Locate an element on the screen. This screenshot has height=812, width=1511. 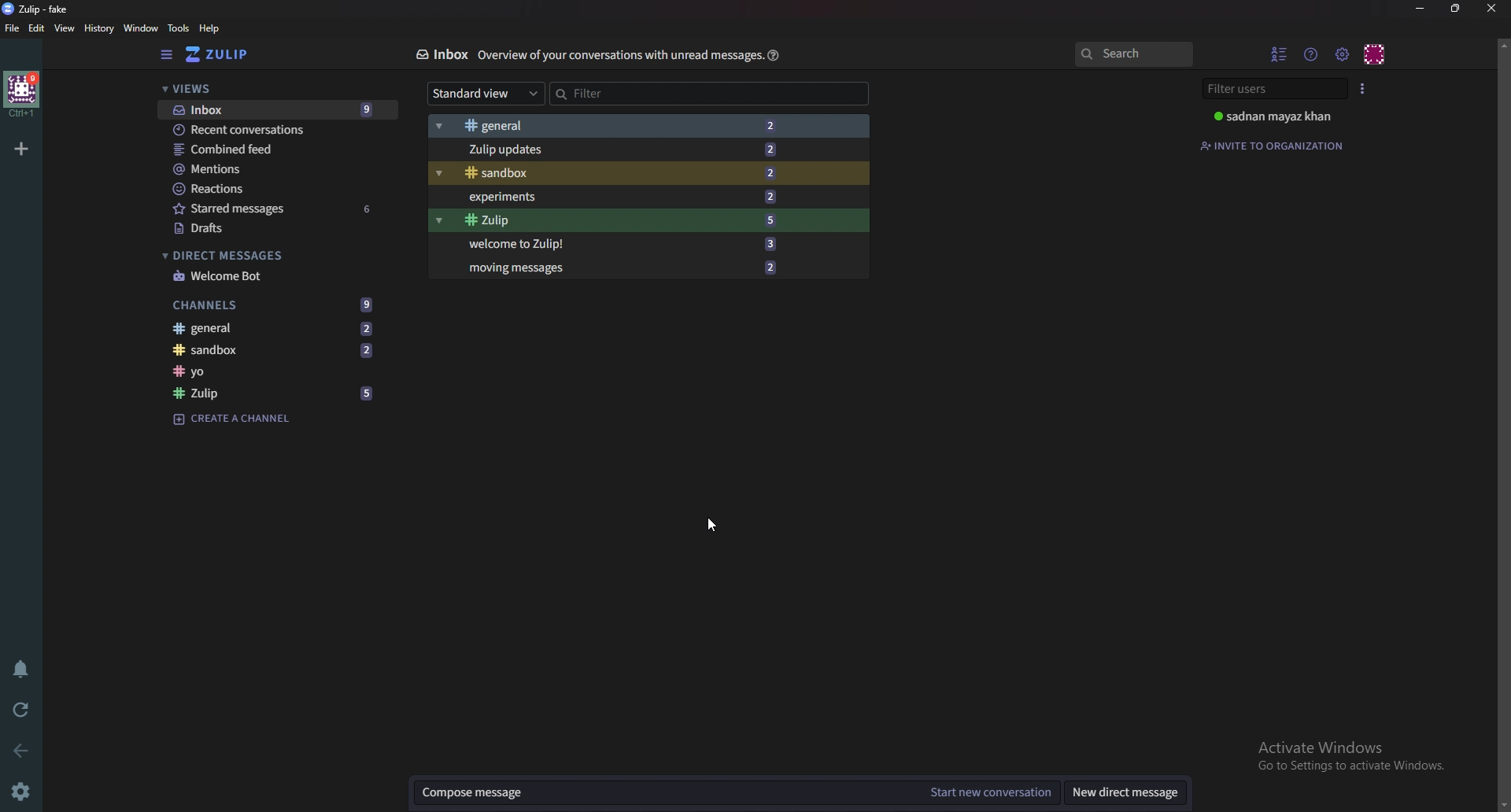
Welcome bot is located at coordinates (260, 276).